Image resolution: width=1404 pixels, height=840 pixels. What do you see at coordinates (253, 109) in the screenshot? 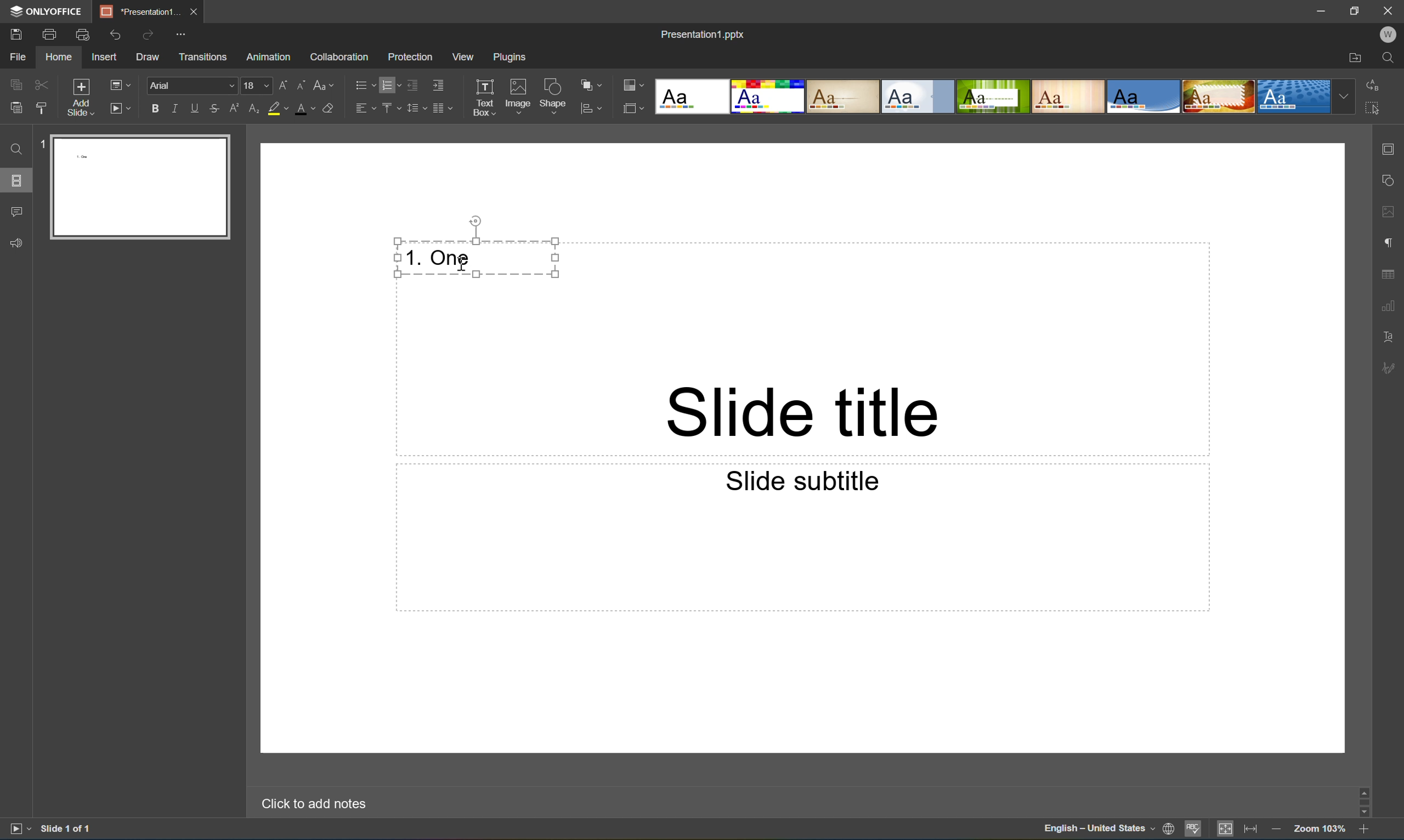
I see `Subscript` at bounding box center [253, 109].